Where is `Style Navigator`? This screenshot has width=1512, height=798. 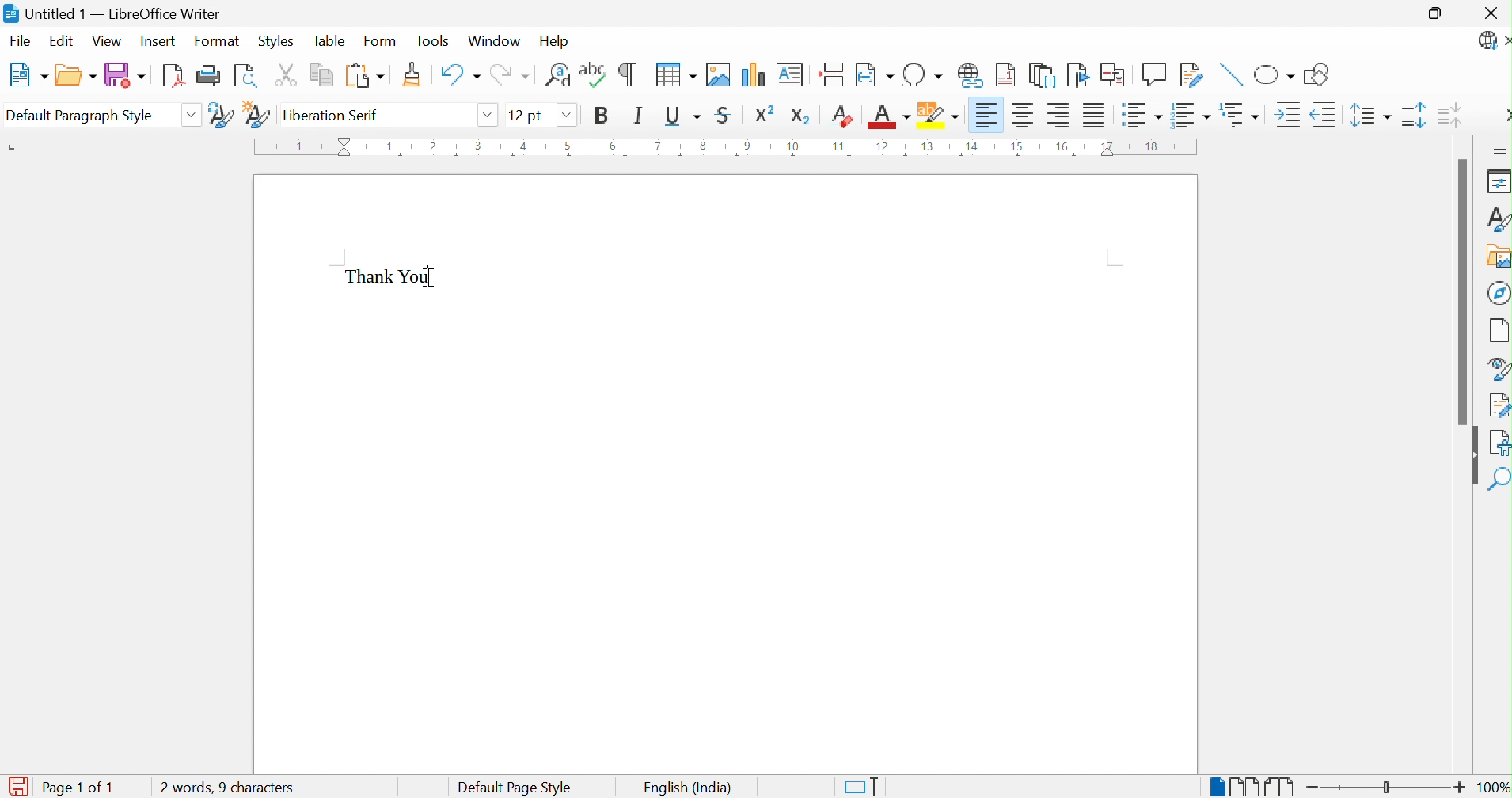 Style Navigator is located at coordinates (1495, 368).